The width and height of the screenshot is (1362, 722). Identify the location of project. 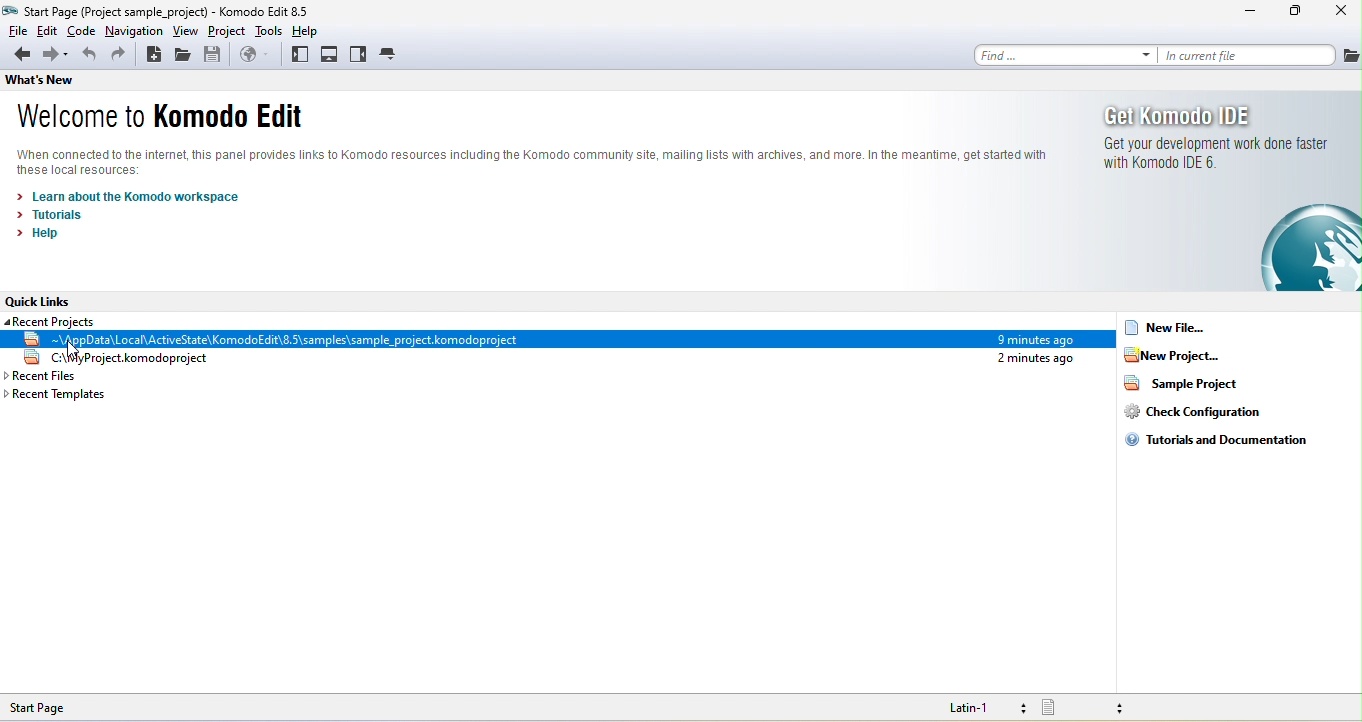
(224, 32).